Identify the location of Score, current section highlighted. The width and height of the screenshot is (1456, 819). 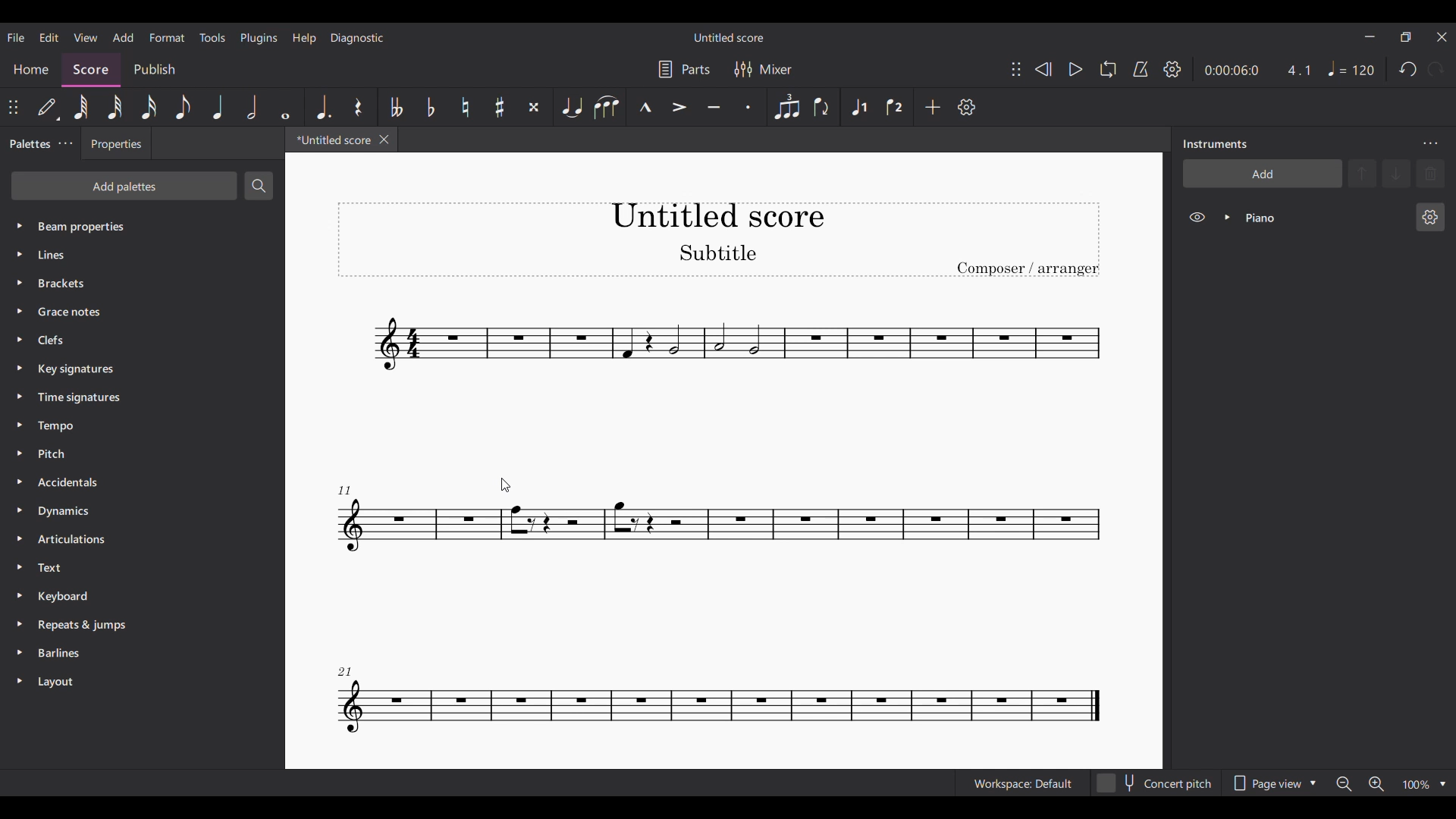
(91, 67).